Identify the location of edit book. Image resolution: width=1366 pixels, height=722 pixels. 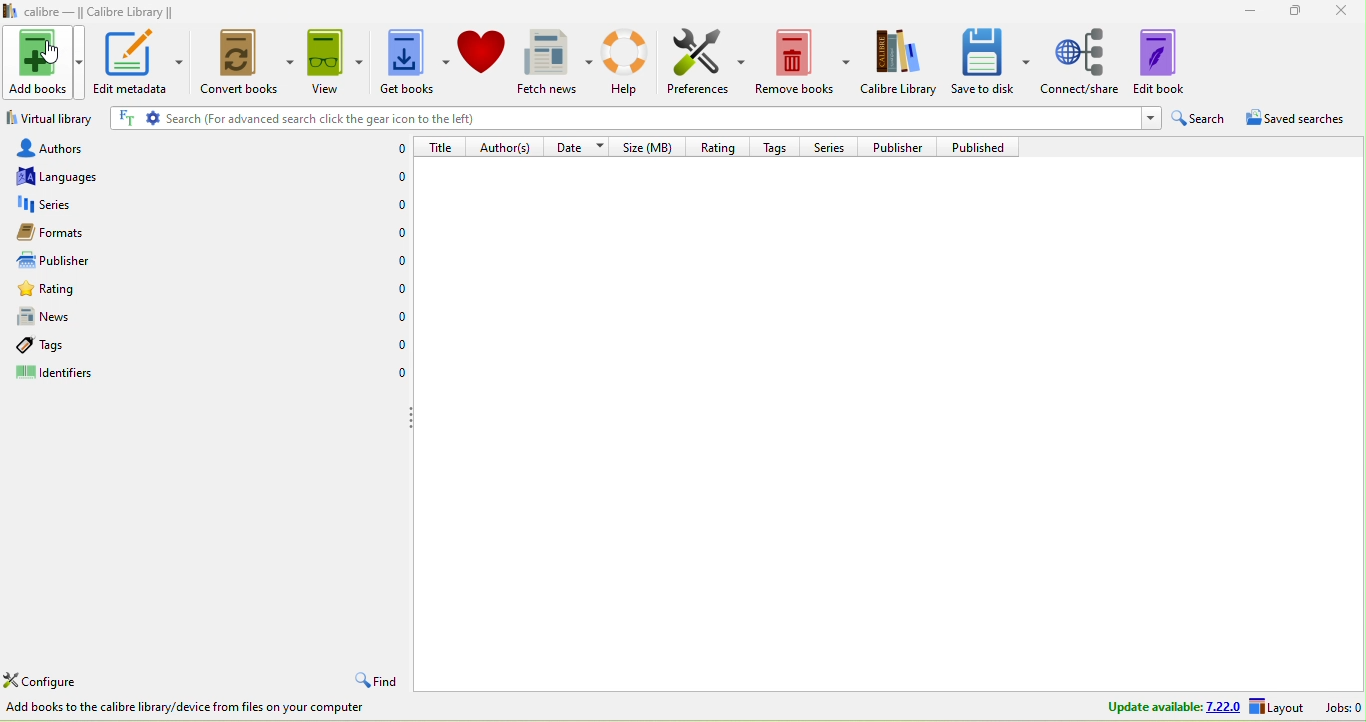
(1164, 63).